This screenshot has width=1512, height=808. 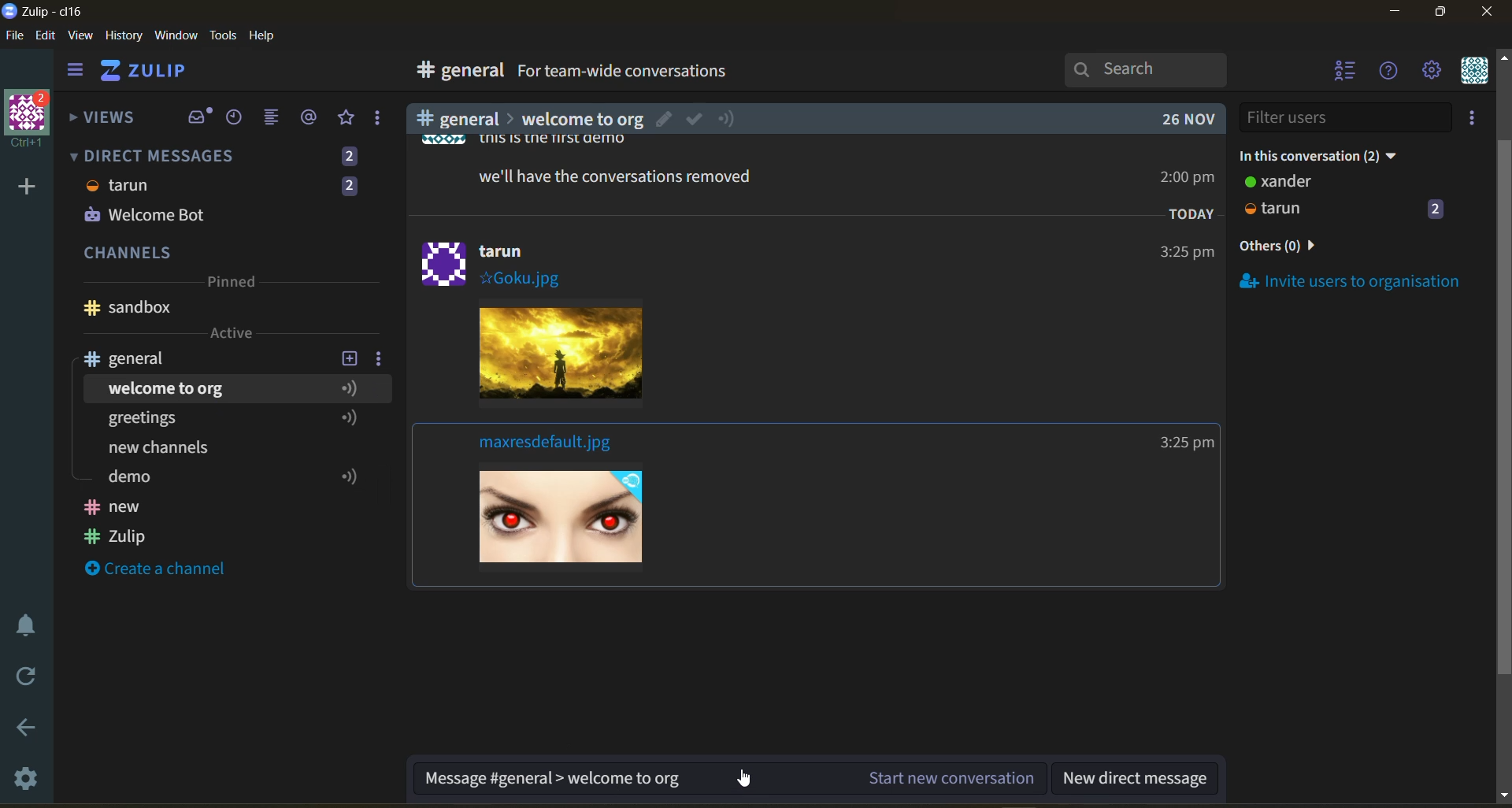 I want to click on topics, so click(x=228, y=386).